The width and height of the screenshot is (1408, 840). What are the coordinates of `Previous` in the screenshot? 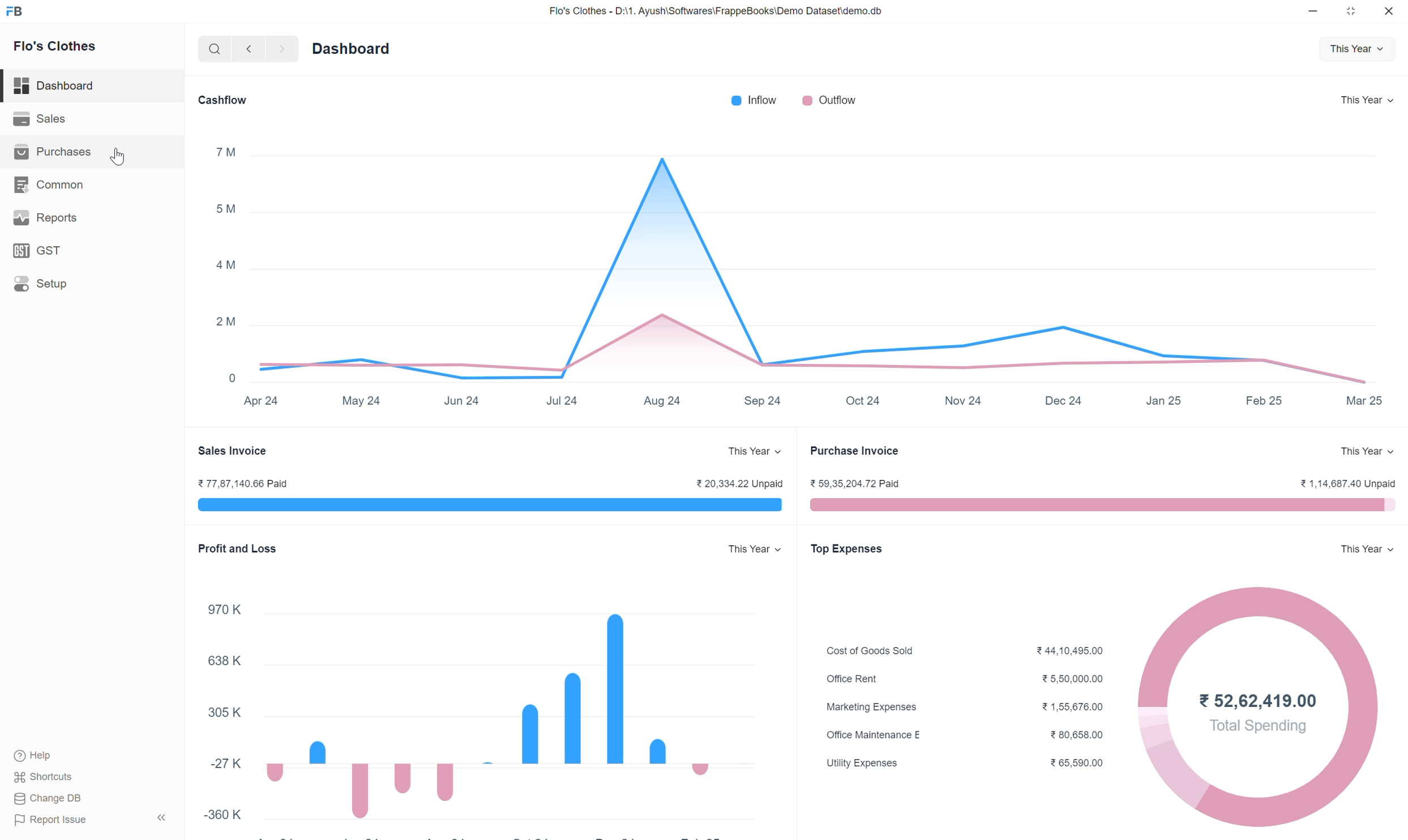 It's located at (249, 49).